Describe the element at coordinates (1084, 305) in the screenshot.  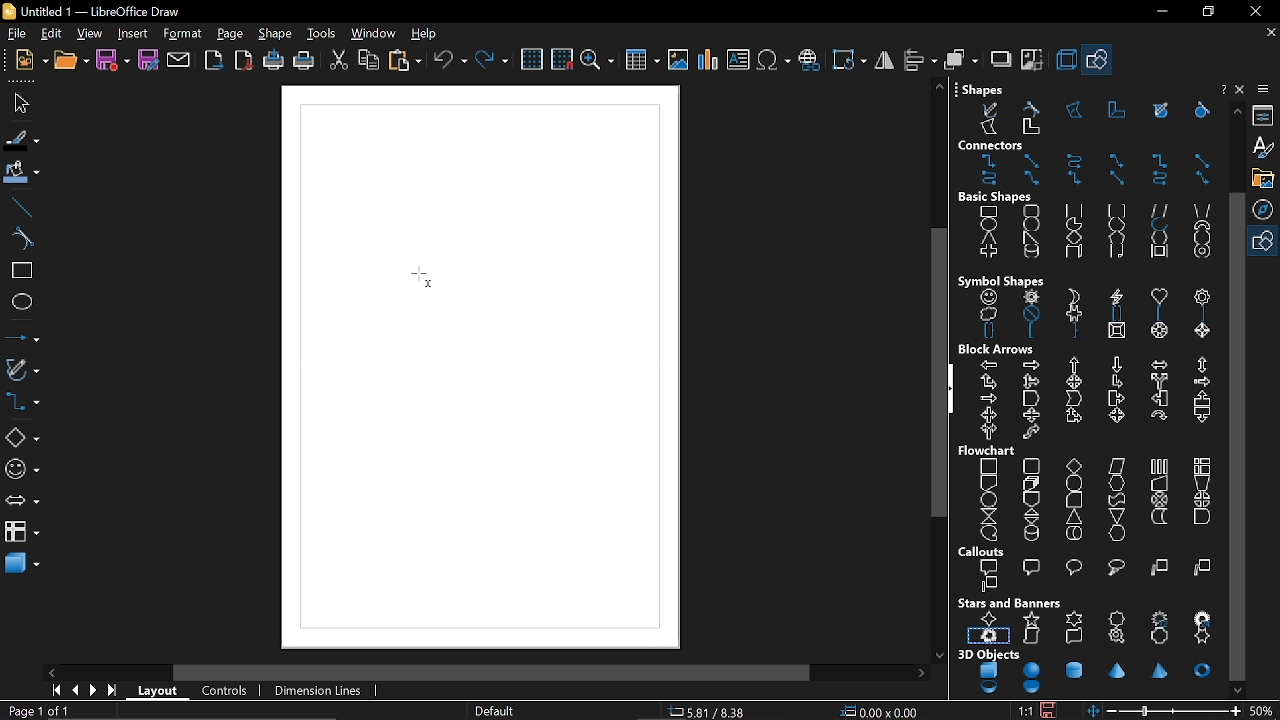
I see `Symbol shapes` at that location.